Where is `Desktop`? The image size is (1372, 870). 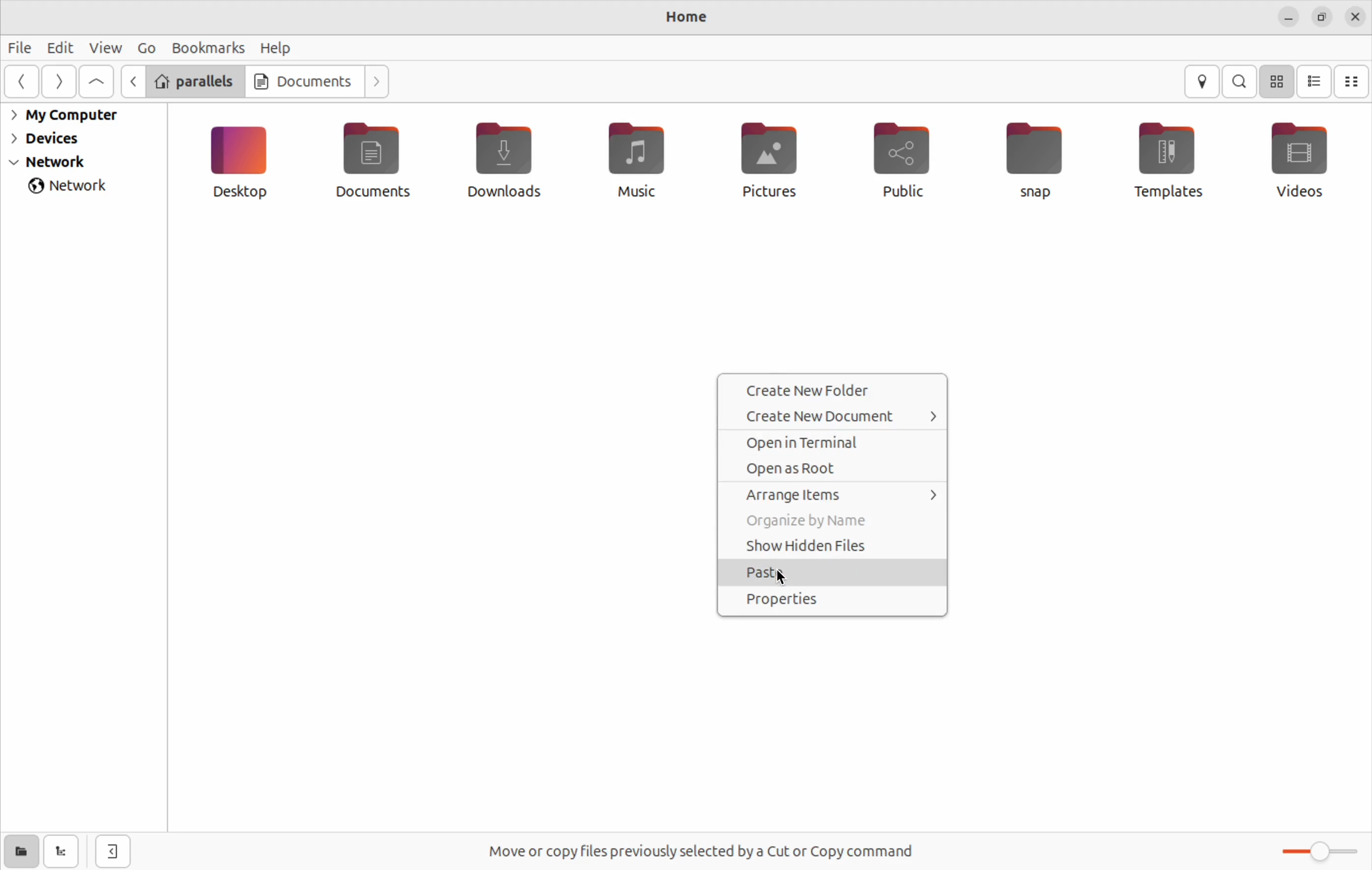 Desktop is located at coordinates (244, 162).